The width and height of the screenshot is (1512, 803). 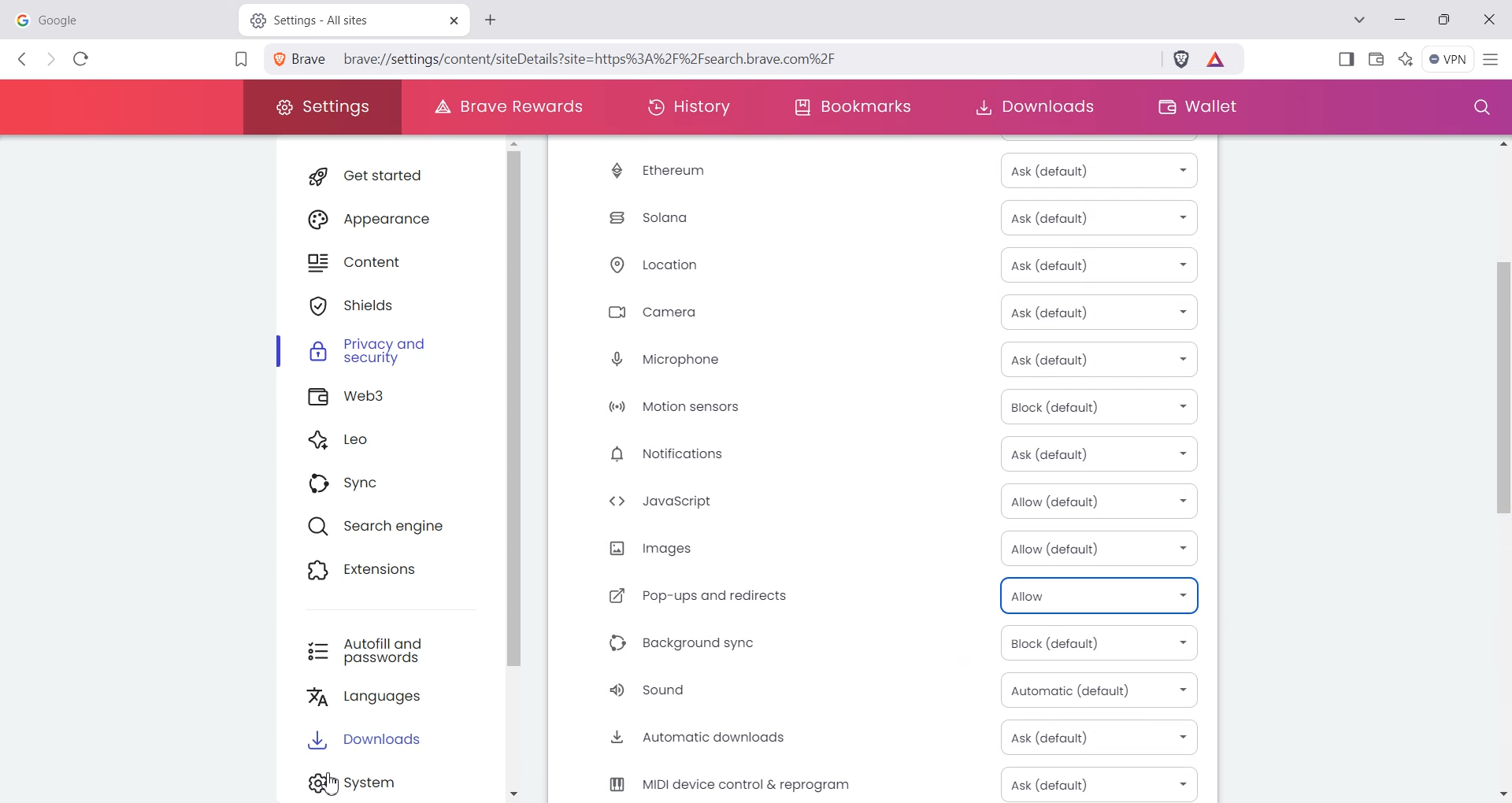 What do you see at coordinates (884, 171) in the screenshot?
I see `Ethereum Ask (Default)` at bounding box center [884, 171].